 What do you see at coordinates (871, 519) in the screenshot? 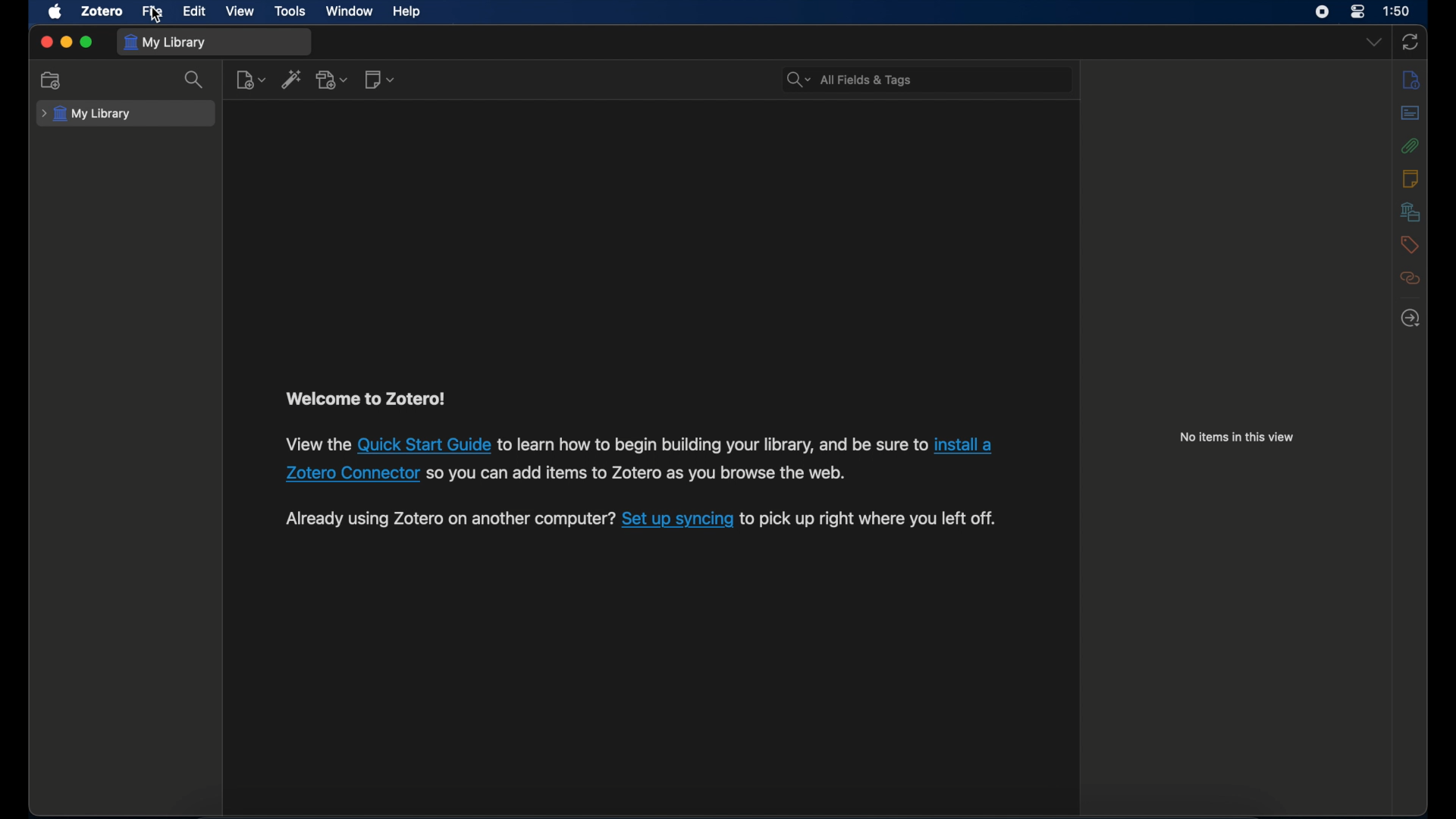
I see `to pick up right where you left off.` at bounding box center [871, 519].